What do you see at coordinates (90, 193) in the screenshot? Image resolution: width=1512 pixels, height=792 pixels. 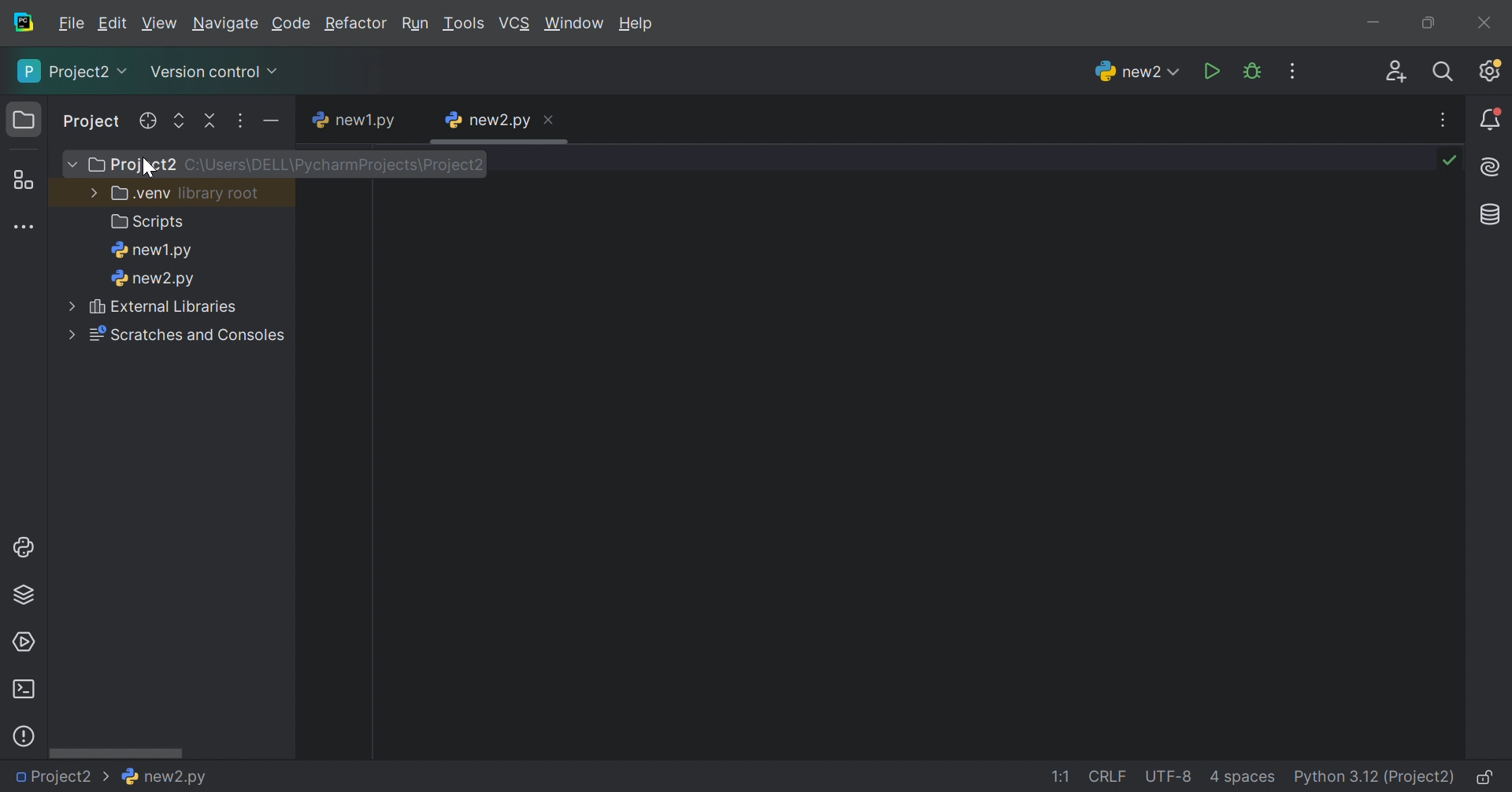 I see `More` at bounding box center [90, 193].